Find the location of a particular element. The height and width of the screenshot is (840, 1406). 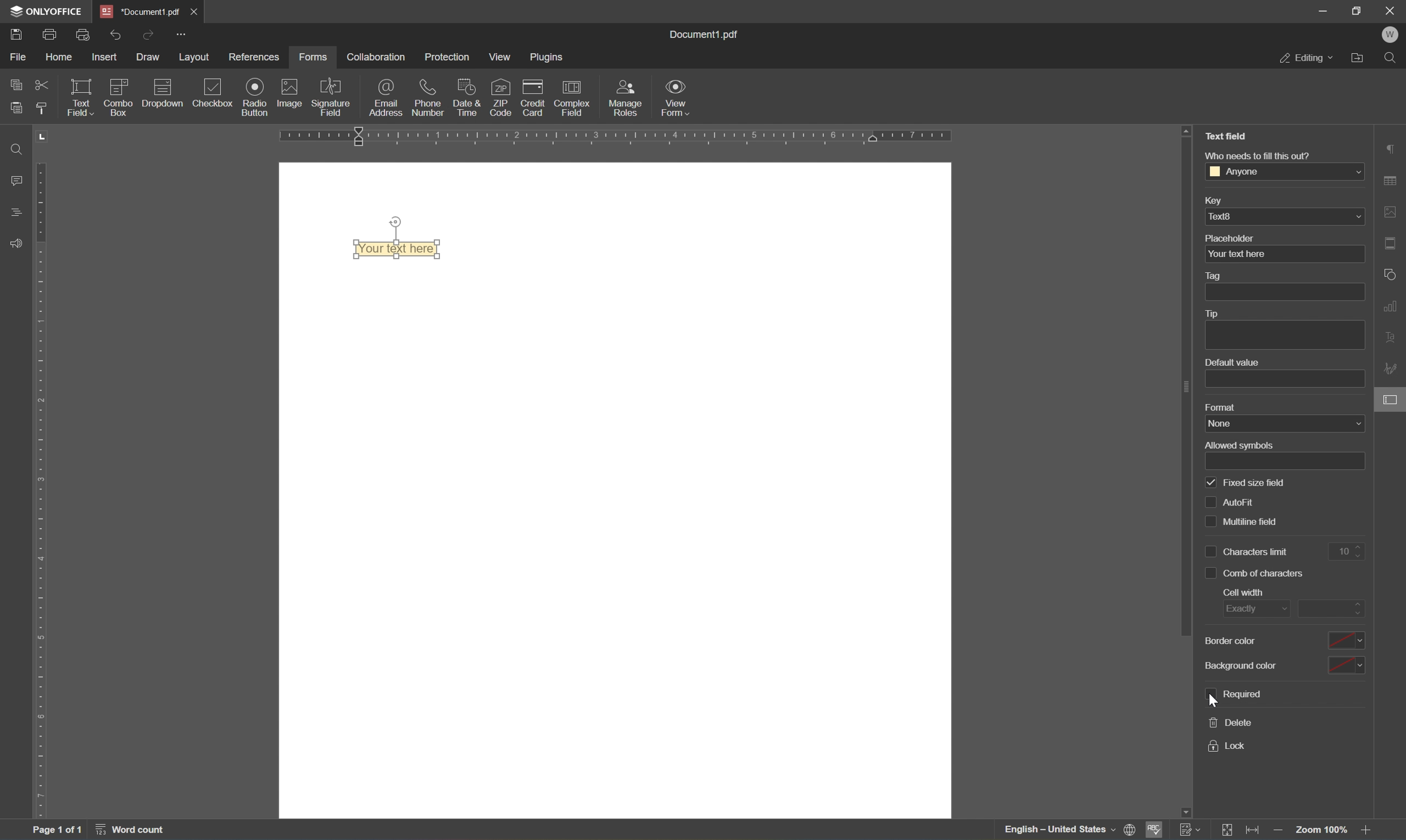

phone number is located at coordinates (428, 98).